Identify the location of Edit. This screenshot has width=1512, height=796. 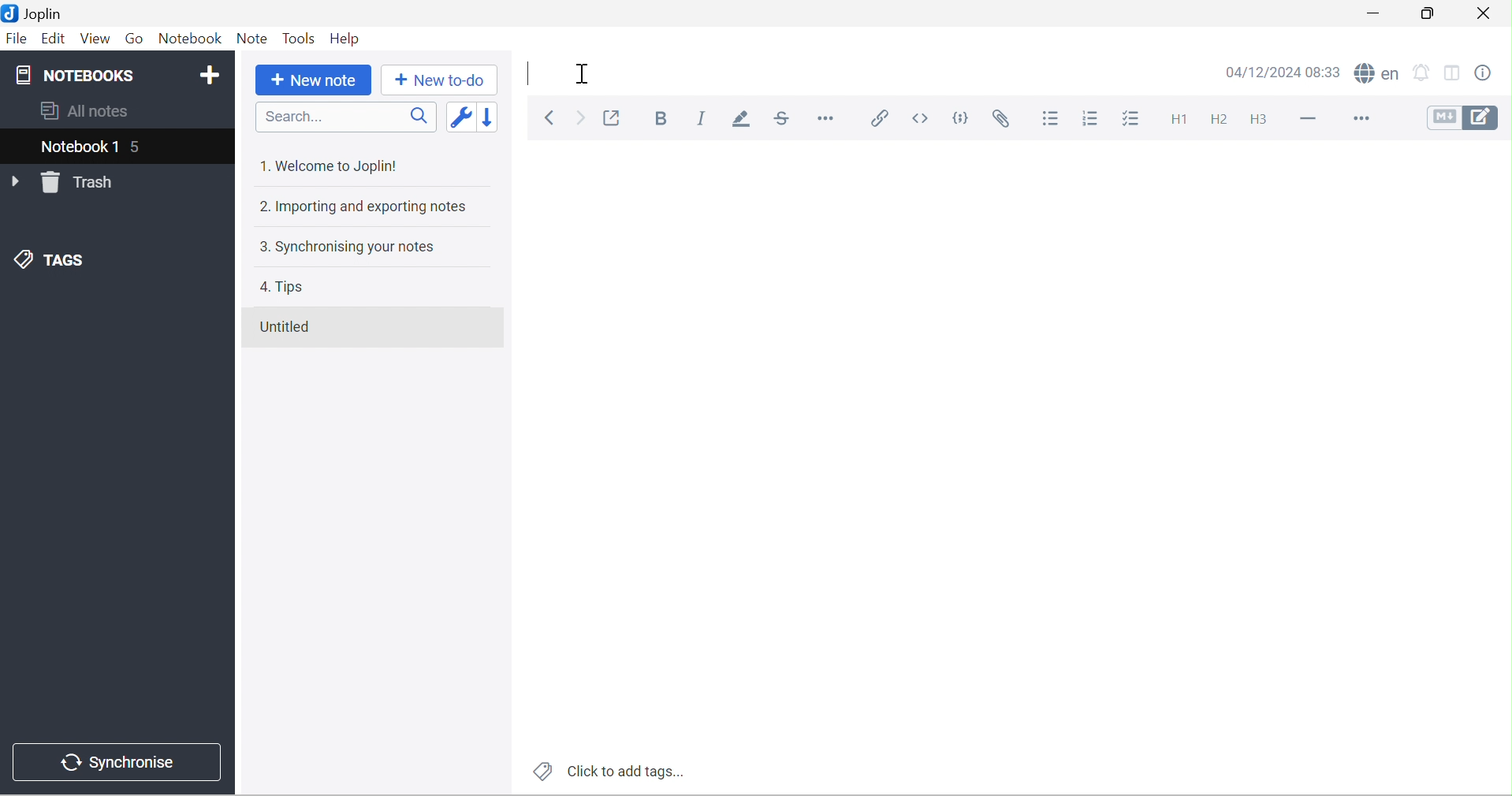
(54, 39).